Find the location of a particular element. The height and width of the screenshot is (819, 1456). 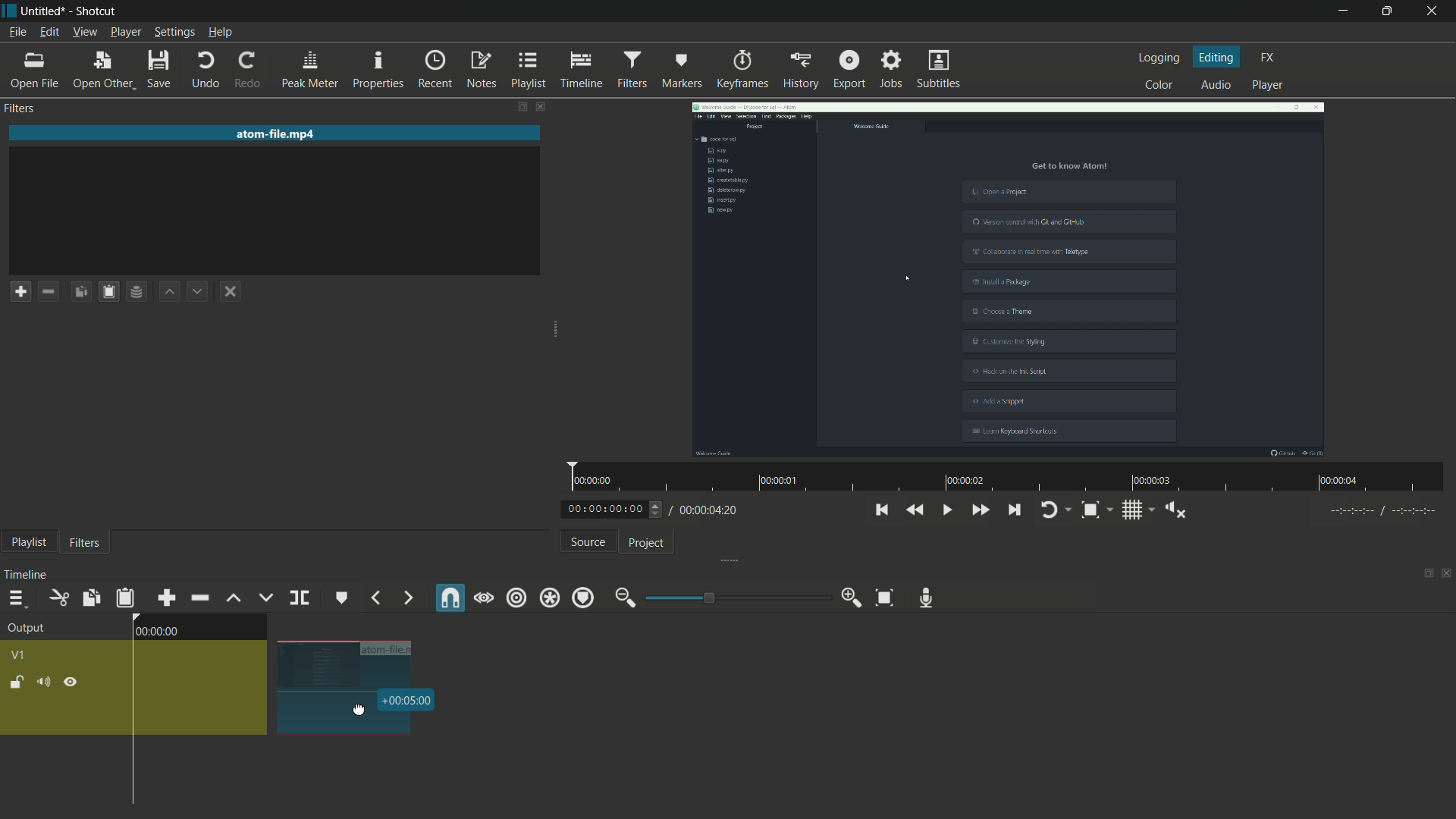

edit menu is located at coordinates (49, 31).